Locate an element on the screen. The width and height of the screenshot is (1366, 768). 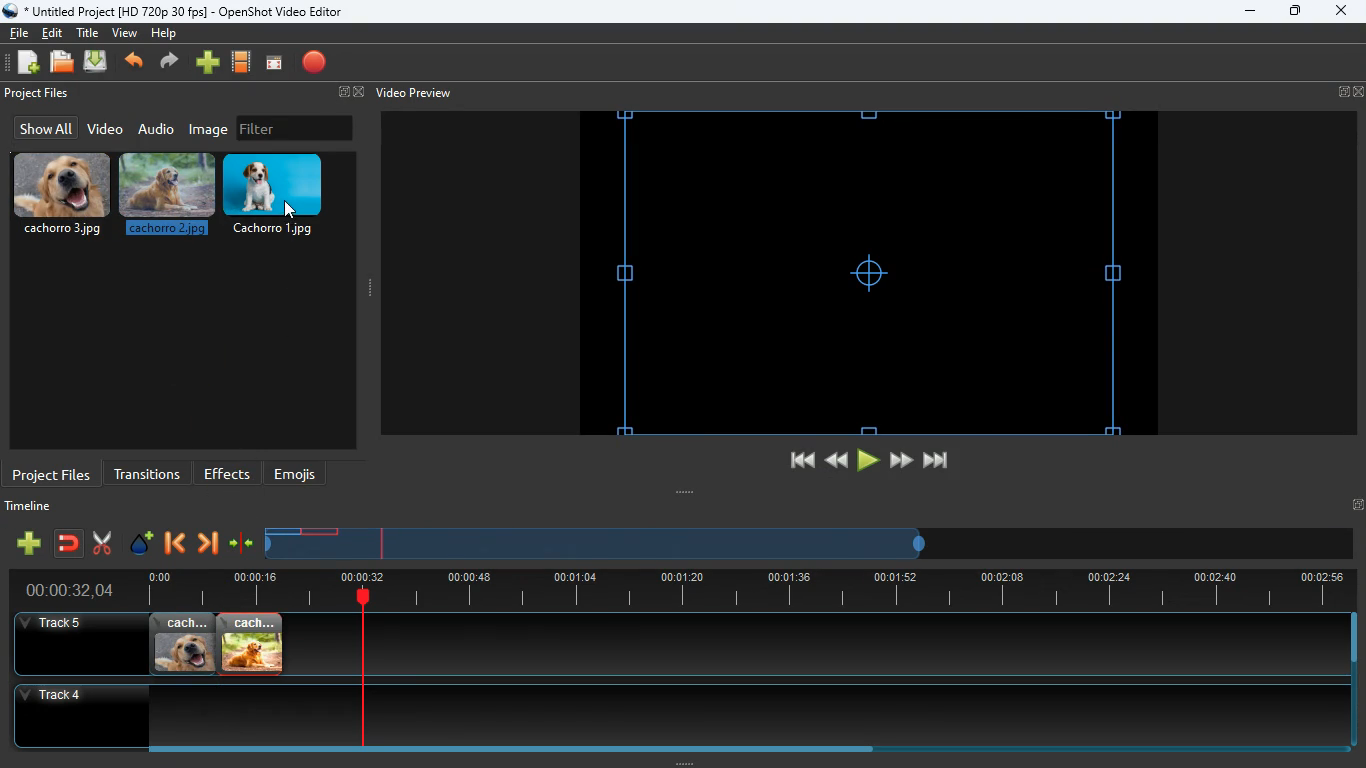
join is located at coordinates (70, 545).